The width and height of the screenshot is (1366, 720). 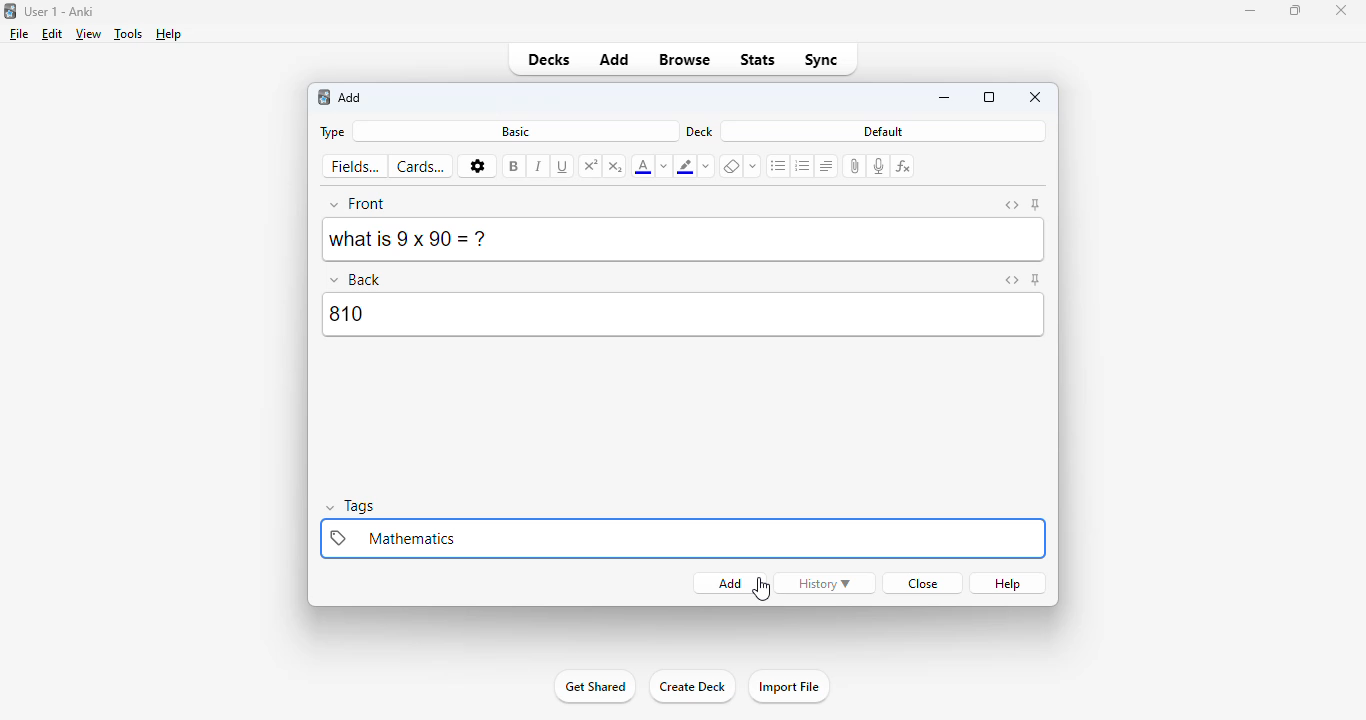 What do you see at coordinates (351, 98) in the screenshot?
I see `add` at bounding box center [351, 98].